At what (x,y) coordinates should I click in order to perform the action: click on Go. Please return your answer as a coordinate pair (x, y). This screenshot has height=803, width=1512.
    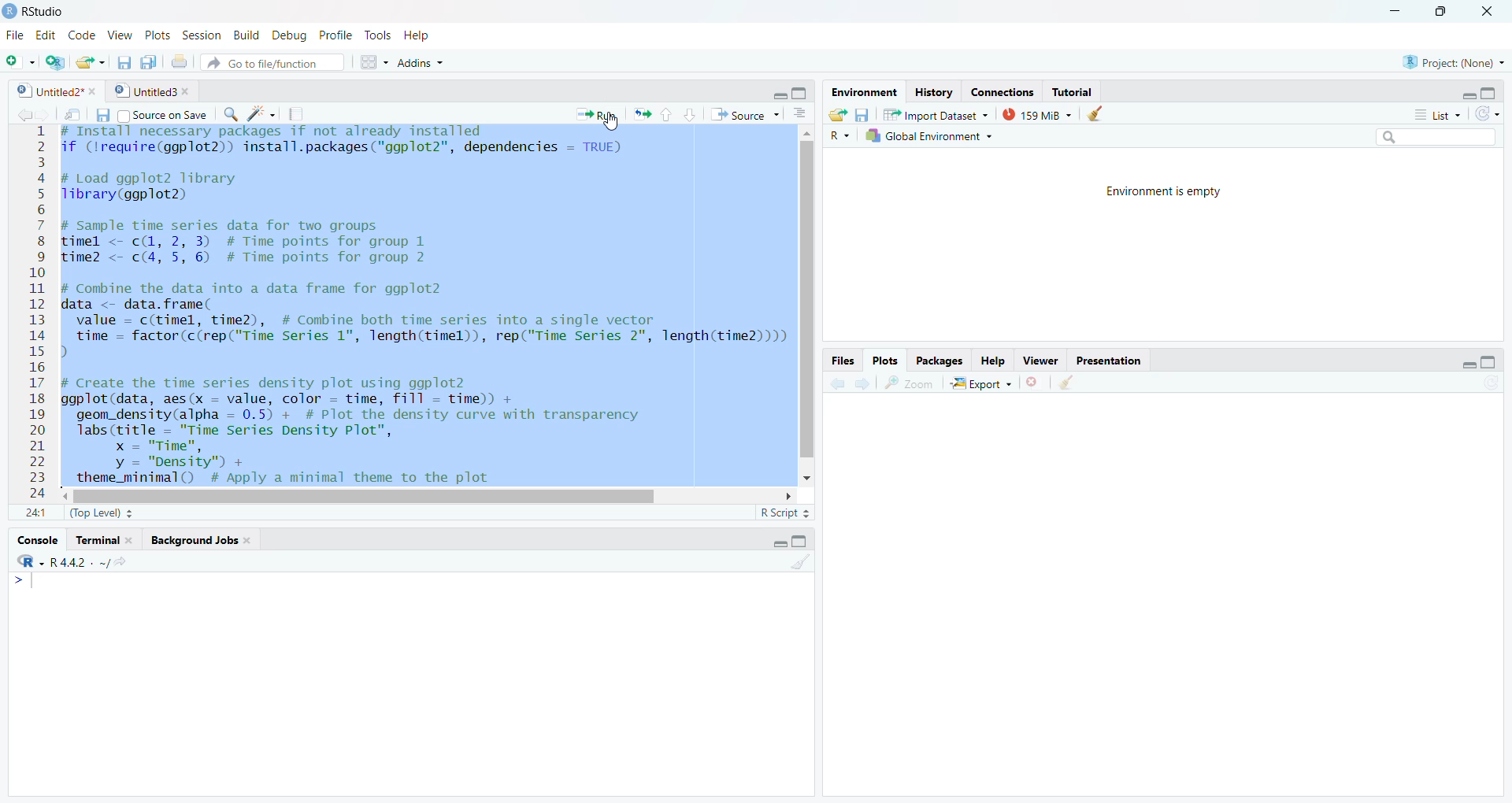
    Looking at the image, I should click on (128, 564).